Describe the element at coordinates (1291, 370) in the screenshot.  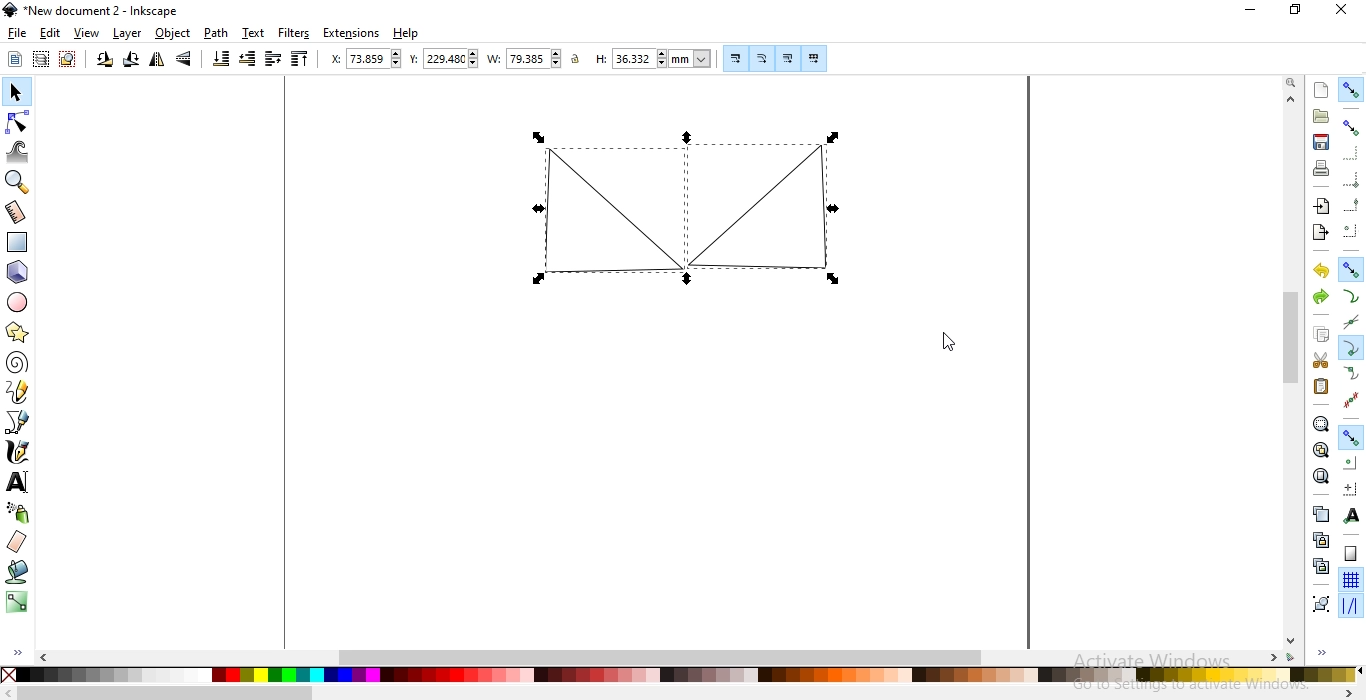
I see `scrollbar` at that location.